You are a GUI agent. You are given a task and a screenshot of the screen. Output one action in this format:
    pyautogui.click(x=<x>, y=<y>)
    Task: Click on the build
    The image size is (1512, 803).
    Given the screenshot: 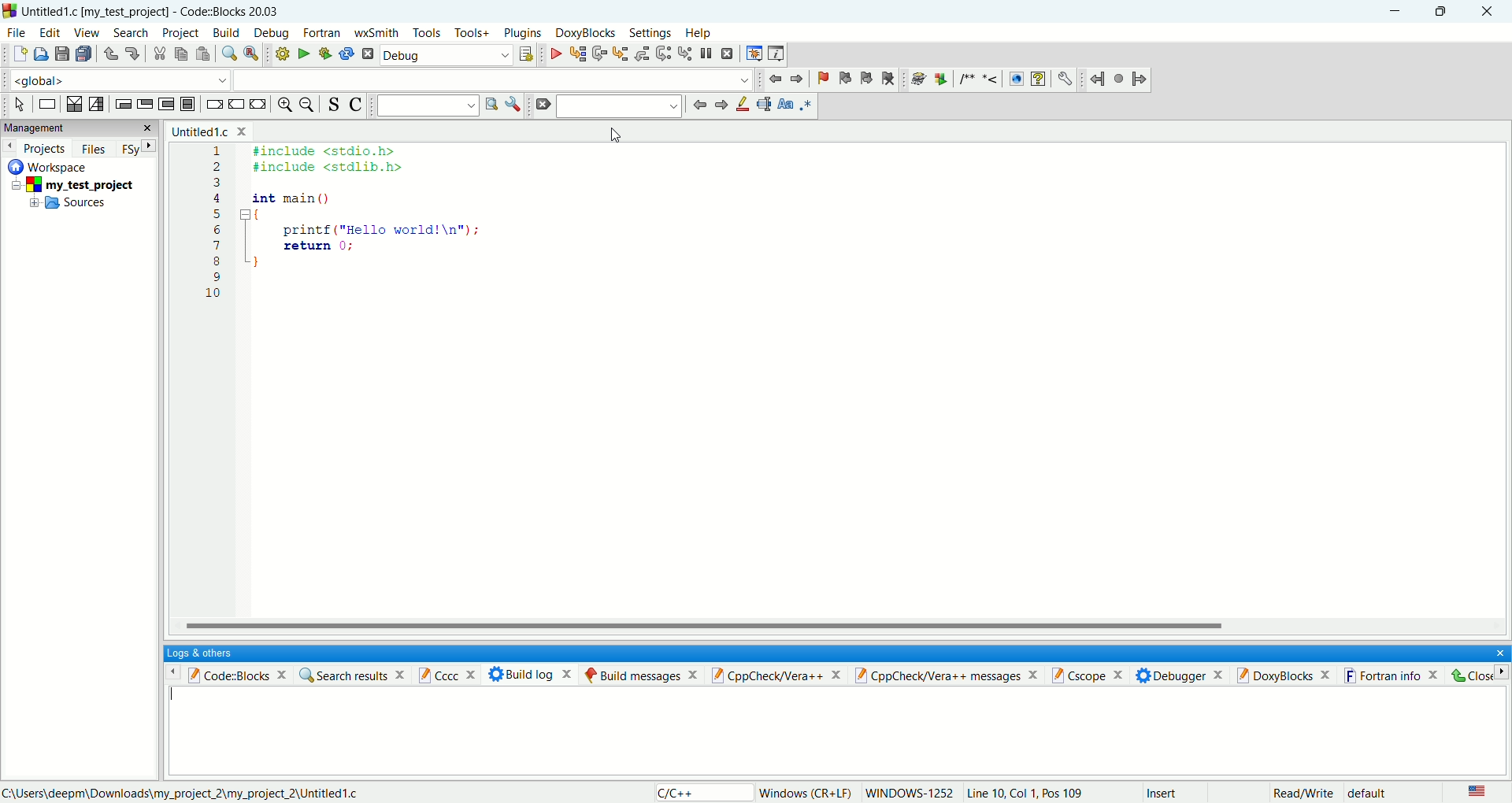 What is the action you would take?
    pyautogui.click(x=227, y=32)
    